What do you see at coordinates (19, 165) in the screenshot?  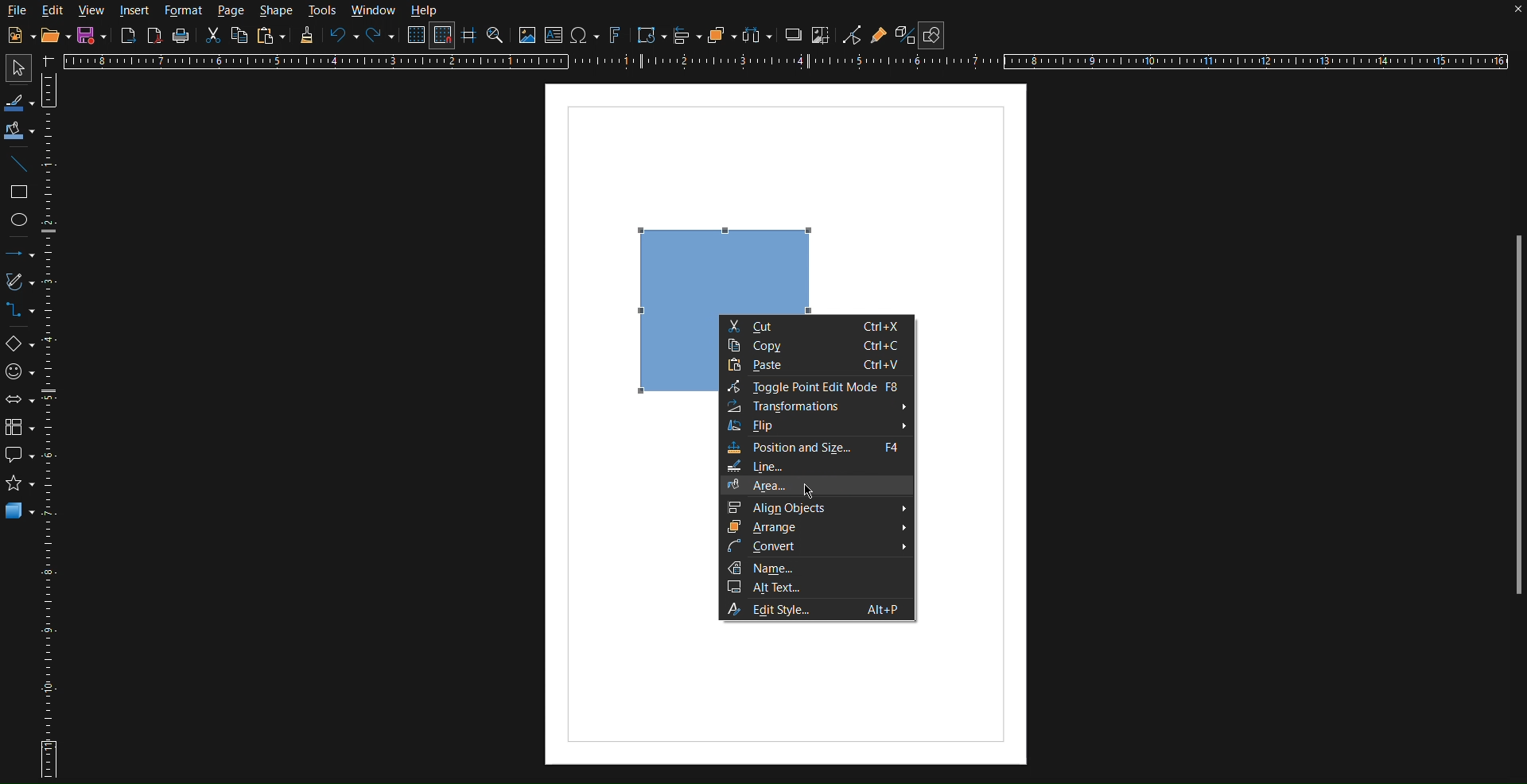 I see `Line` at bounding box center [19, 165].